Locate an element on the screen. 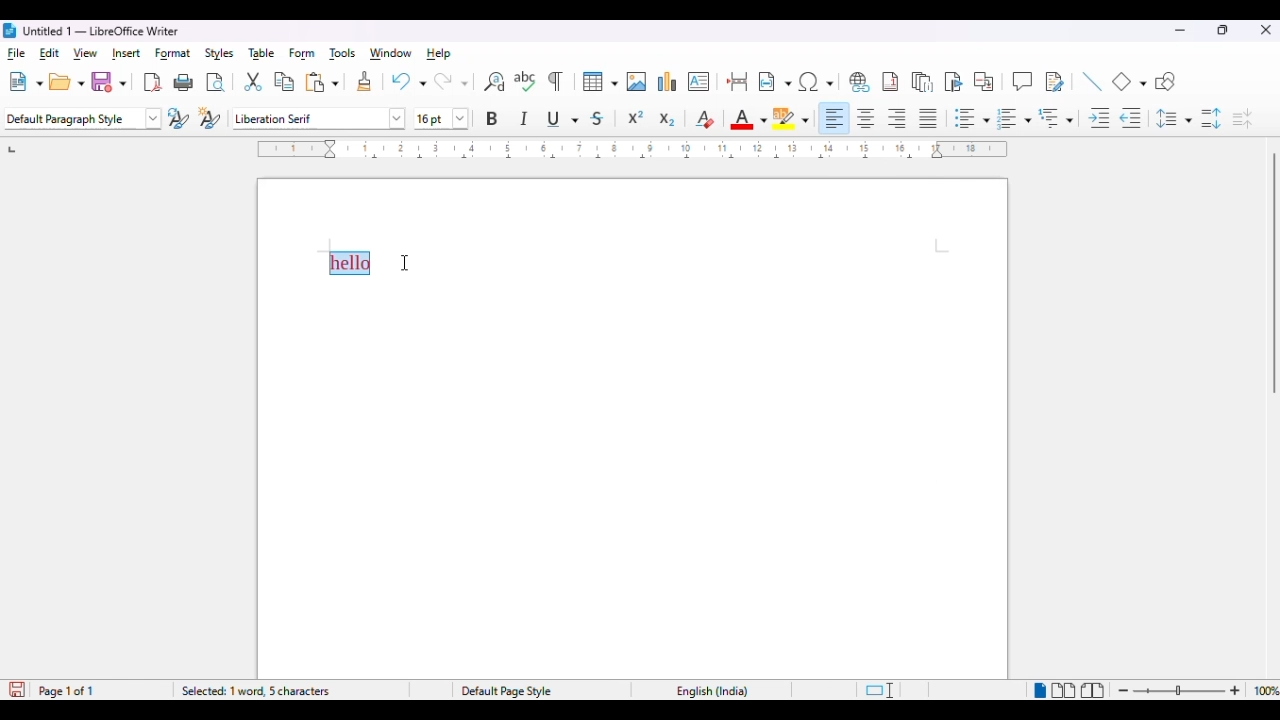 The width and height of the screenshot is (1280, 720). book view is located at coordinates (1093, 692).